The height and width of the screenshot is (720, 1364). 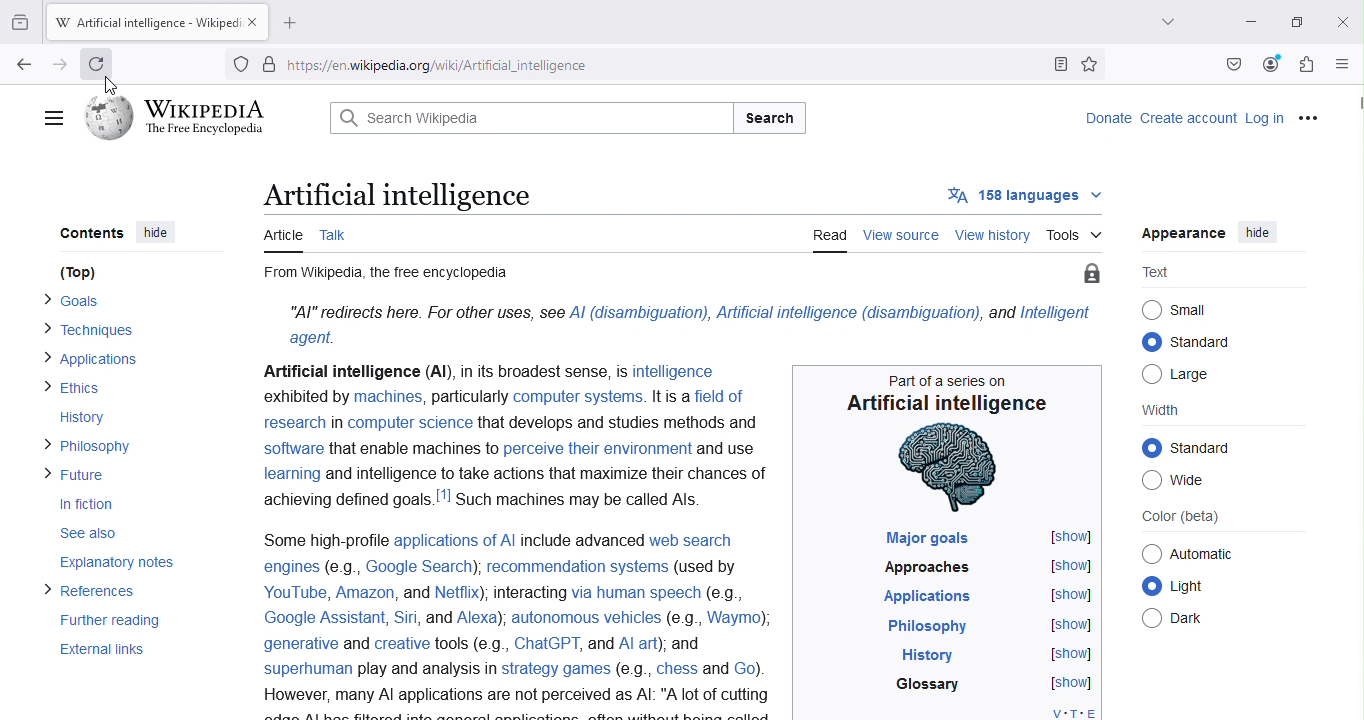 What do you see at coordinates (581, 399) in the screenshot?
I see `computer systems.` at bounding box center [581, 399].